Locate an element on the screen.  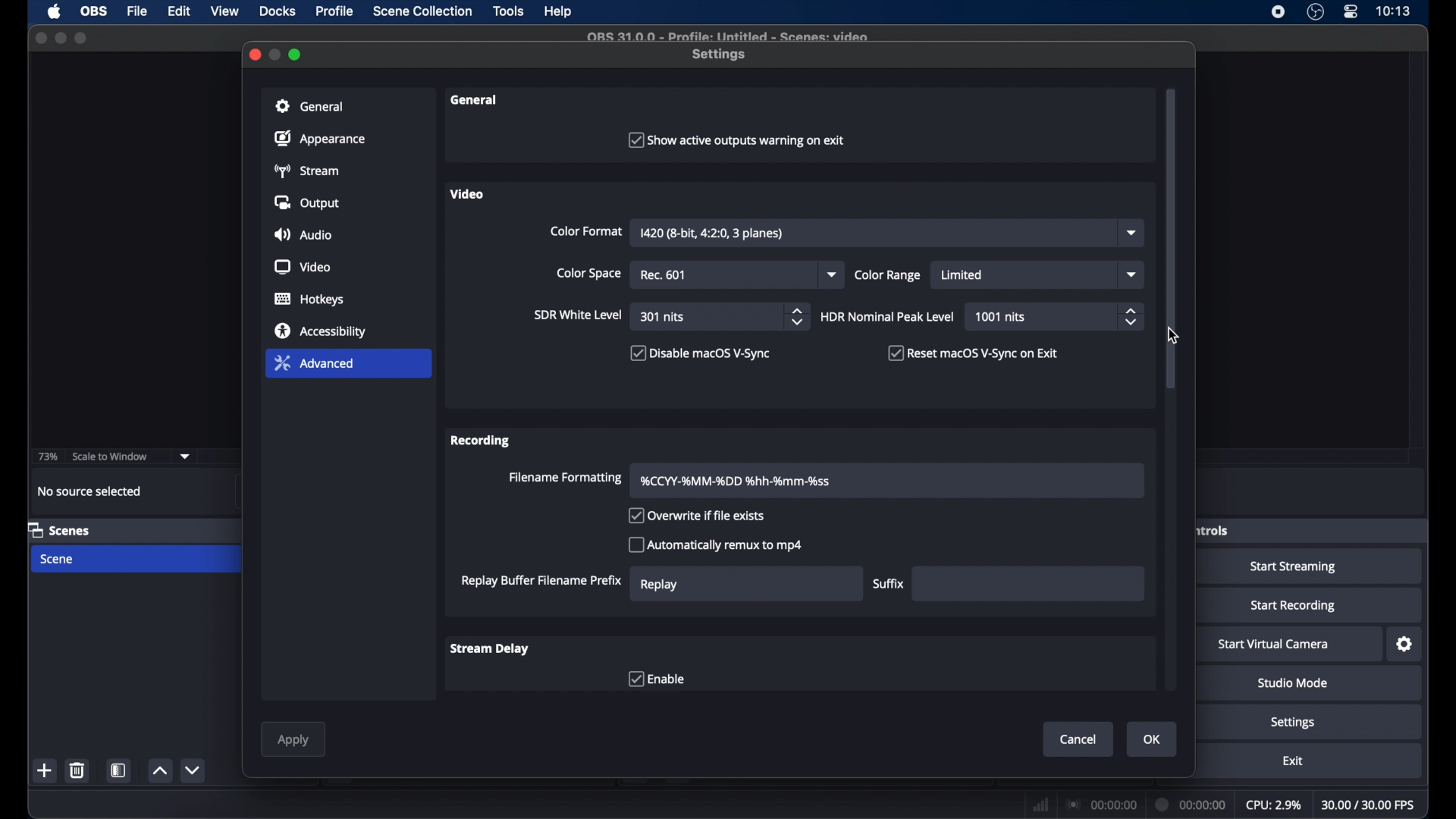
docks is located at coordinates (278, 11).